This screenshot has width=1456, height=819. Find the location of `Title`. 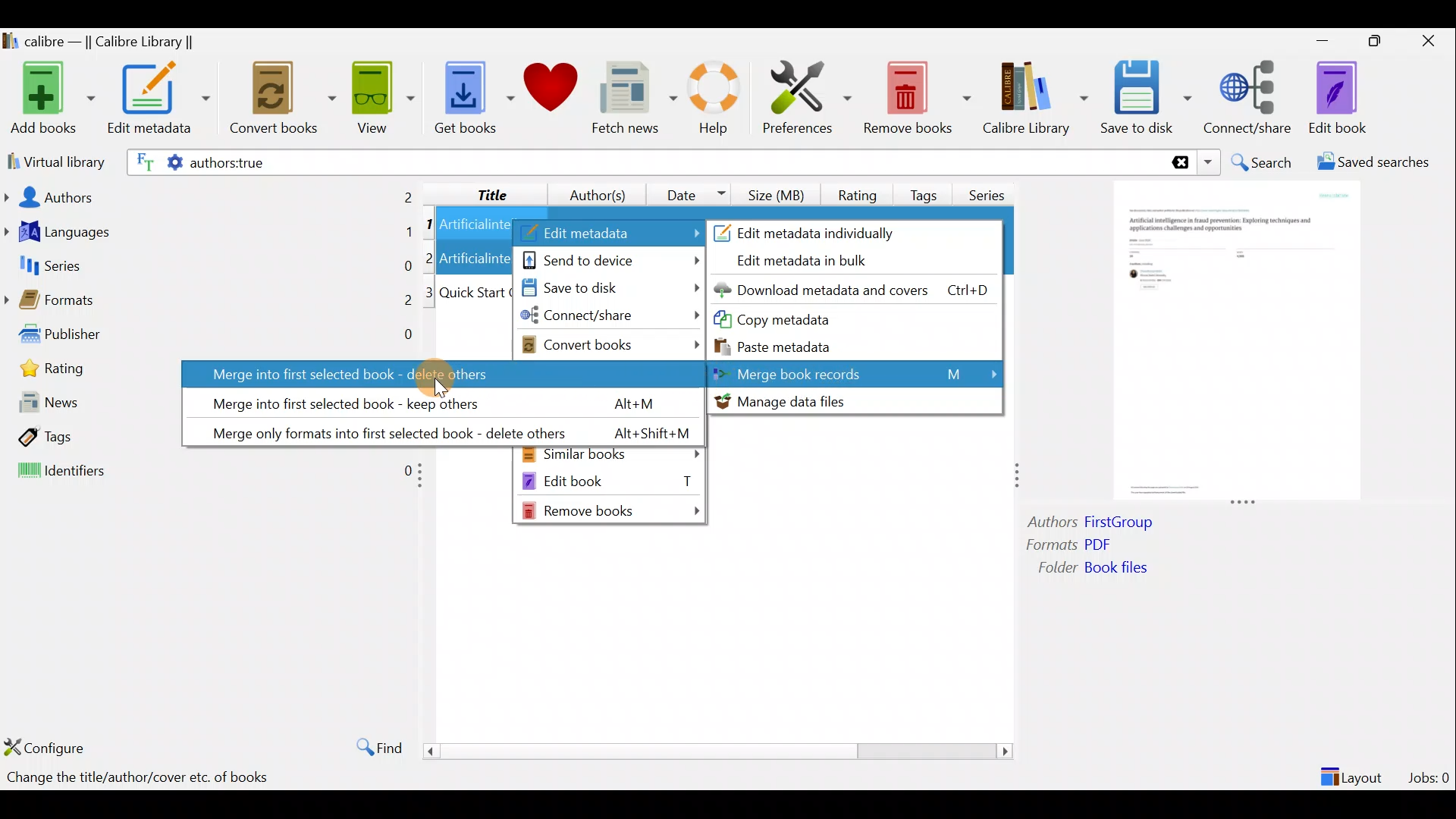

Title is located at coordinates (480, 192).